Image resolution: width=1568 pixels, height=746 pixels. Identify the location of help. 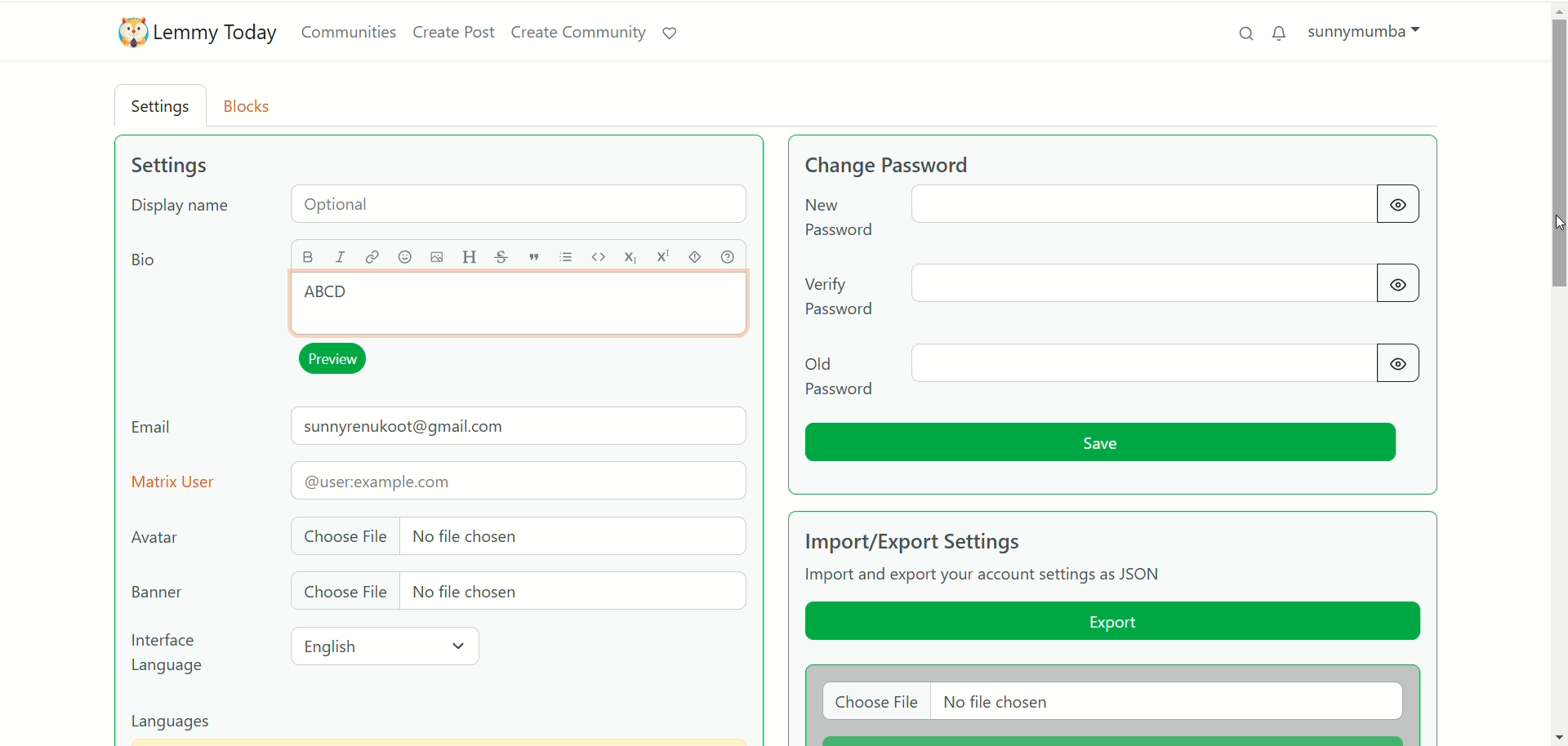
(731, 256).